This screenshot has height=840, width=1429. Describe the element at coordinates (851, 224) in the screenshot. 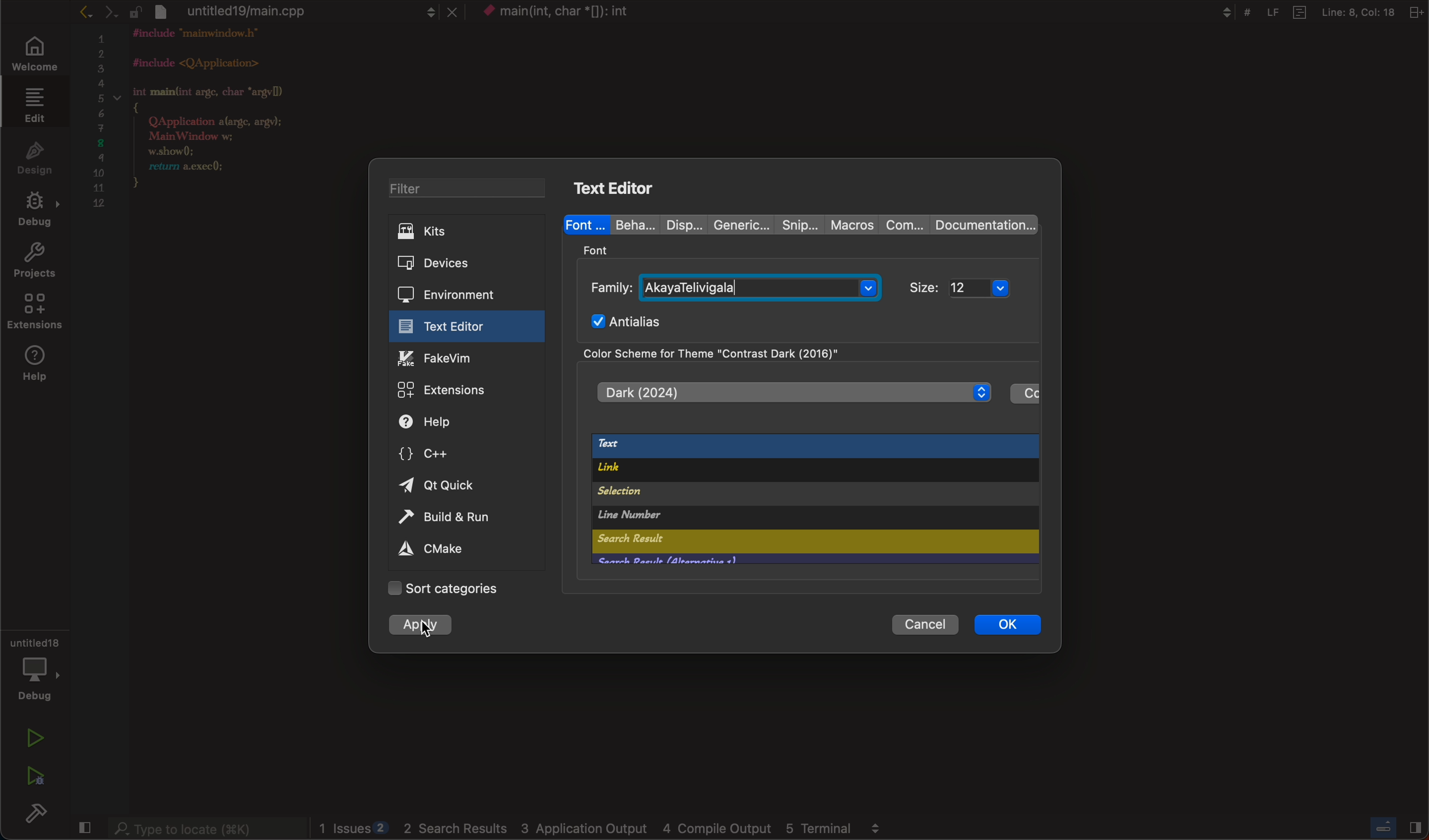

I see `macros` at that location.